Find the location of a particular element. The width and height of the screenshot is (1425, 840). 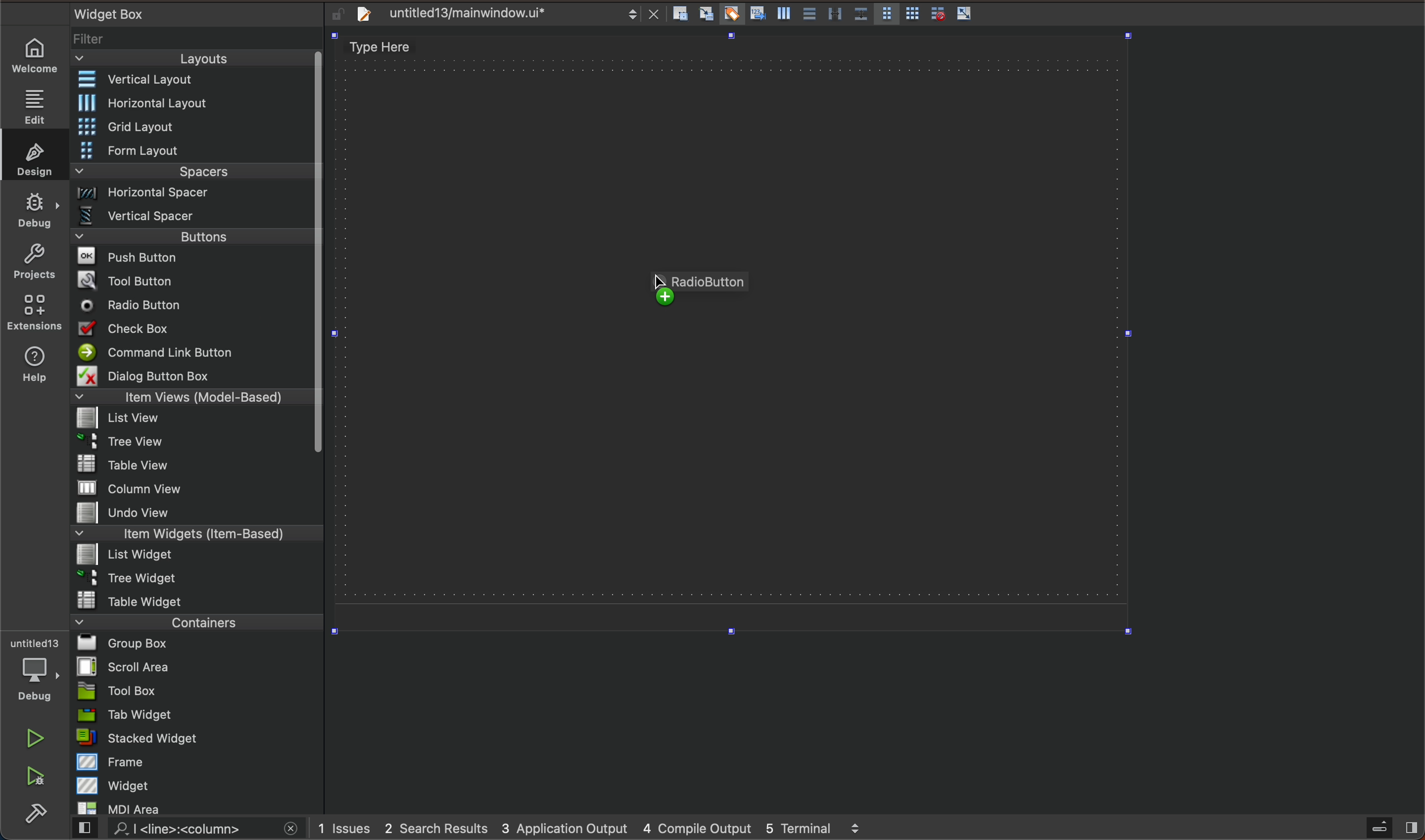

file tab is located at coordinates (504, 14).